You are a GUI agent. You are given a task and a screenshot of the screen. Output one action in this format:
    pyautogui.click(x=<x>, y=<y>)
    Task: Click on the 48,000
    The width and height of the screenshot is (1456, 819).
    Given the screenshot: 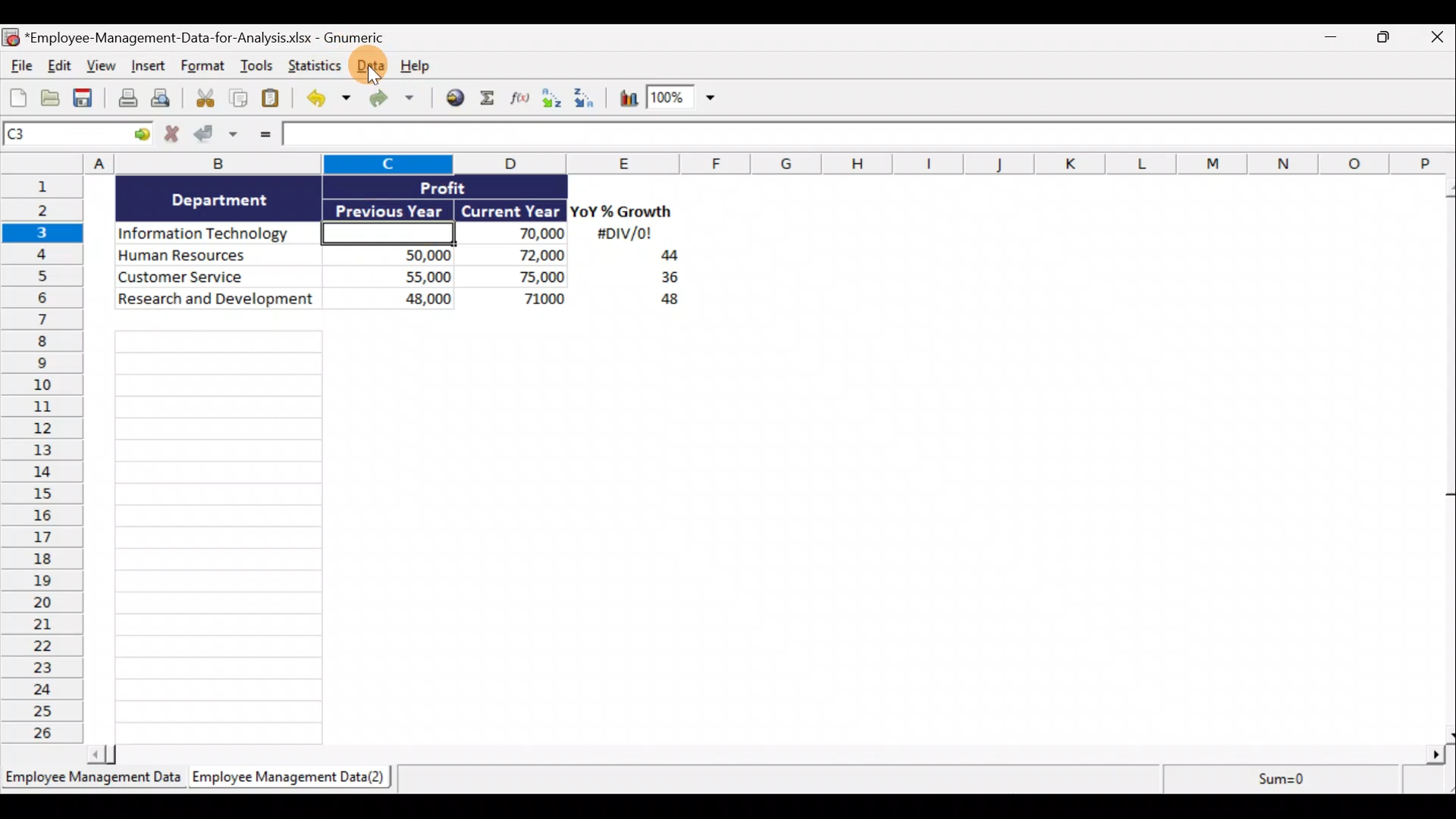 What is the action you would take?
    pyautogui.click(x=397, y=301)
    